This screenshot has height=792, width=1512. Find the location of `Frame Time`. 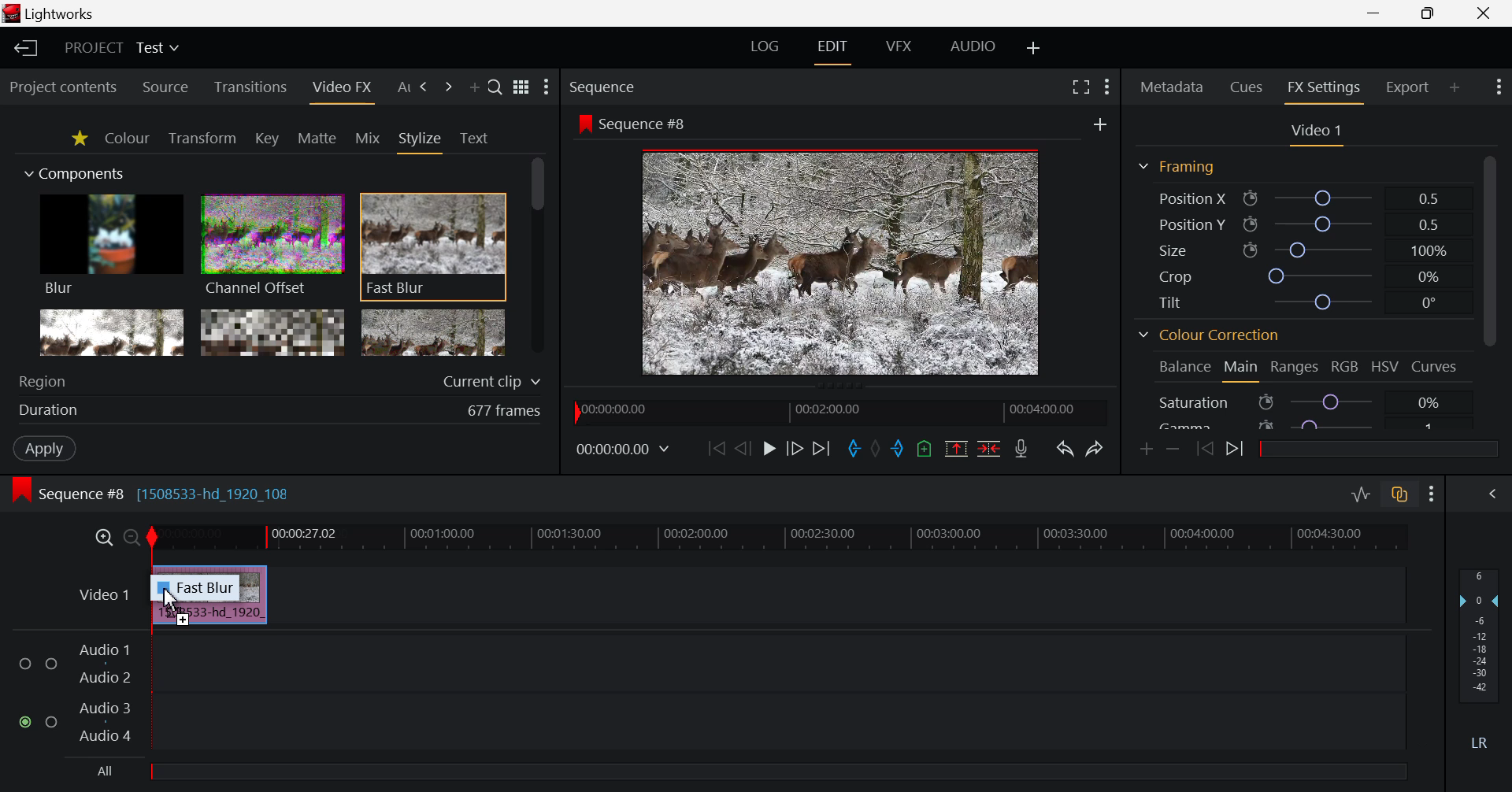

Frame Time is located at coordinates (624, 448).